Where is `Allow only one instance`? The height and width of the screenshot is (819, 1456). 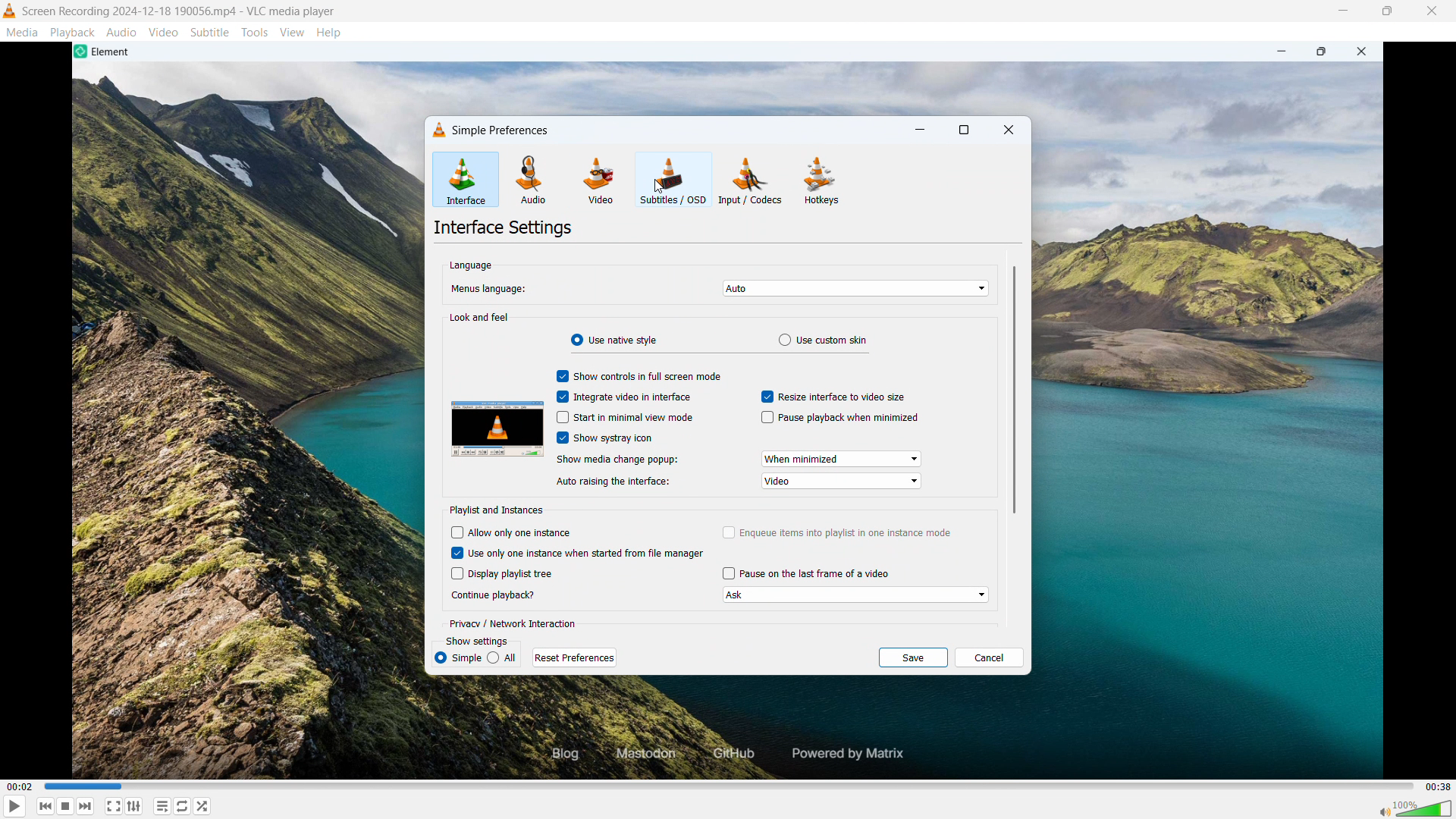
Allow only one instance is located at coordinates (536, 531).